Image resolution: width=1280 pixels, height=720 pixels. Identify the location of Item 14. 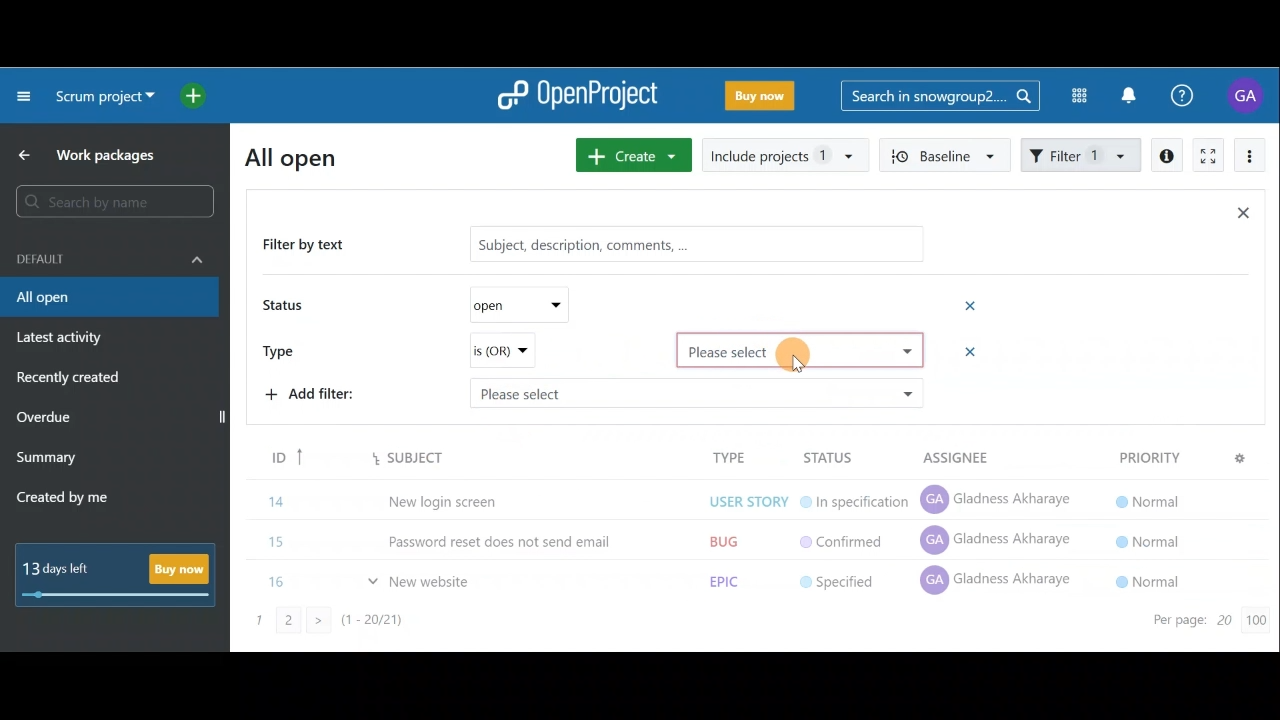
(714, 499).